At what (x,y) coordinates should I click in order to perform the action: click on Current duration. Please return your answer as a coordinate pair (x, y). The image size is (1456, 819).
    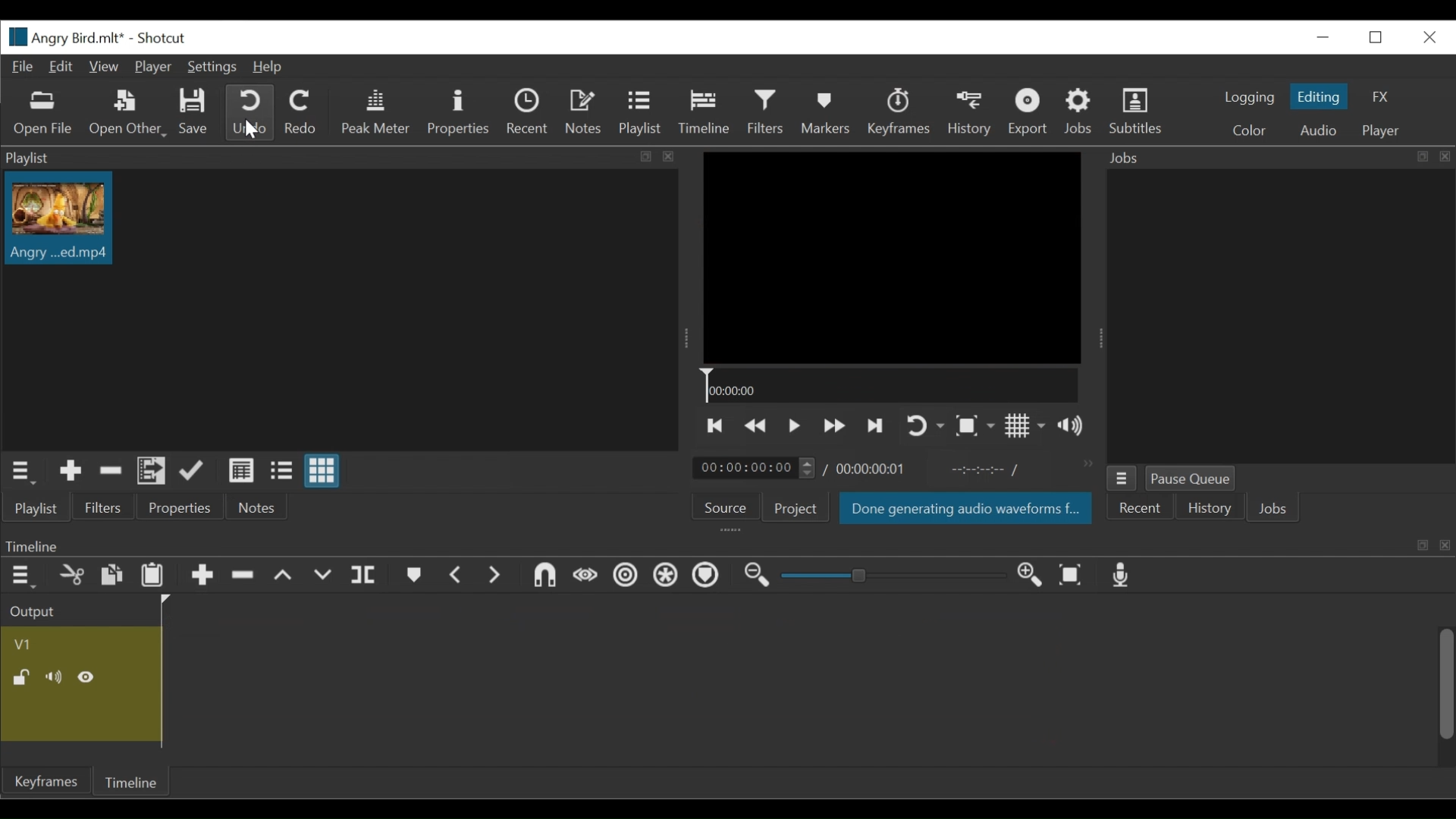
    Looking at the image, I should click on (755, 468).